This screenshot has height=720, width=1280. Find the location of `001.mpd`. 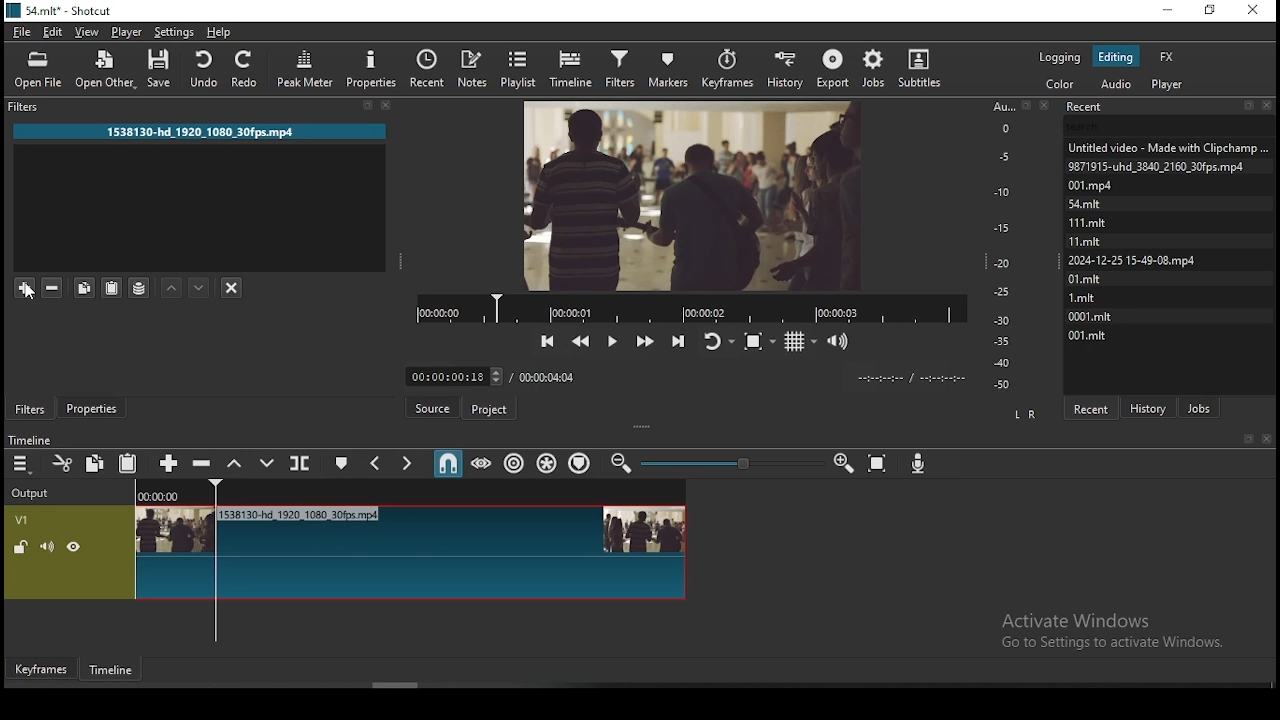

001.mpd is located at coordinates (1093, 185).